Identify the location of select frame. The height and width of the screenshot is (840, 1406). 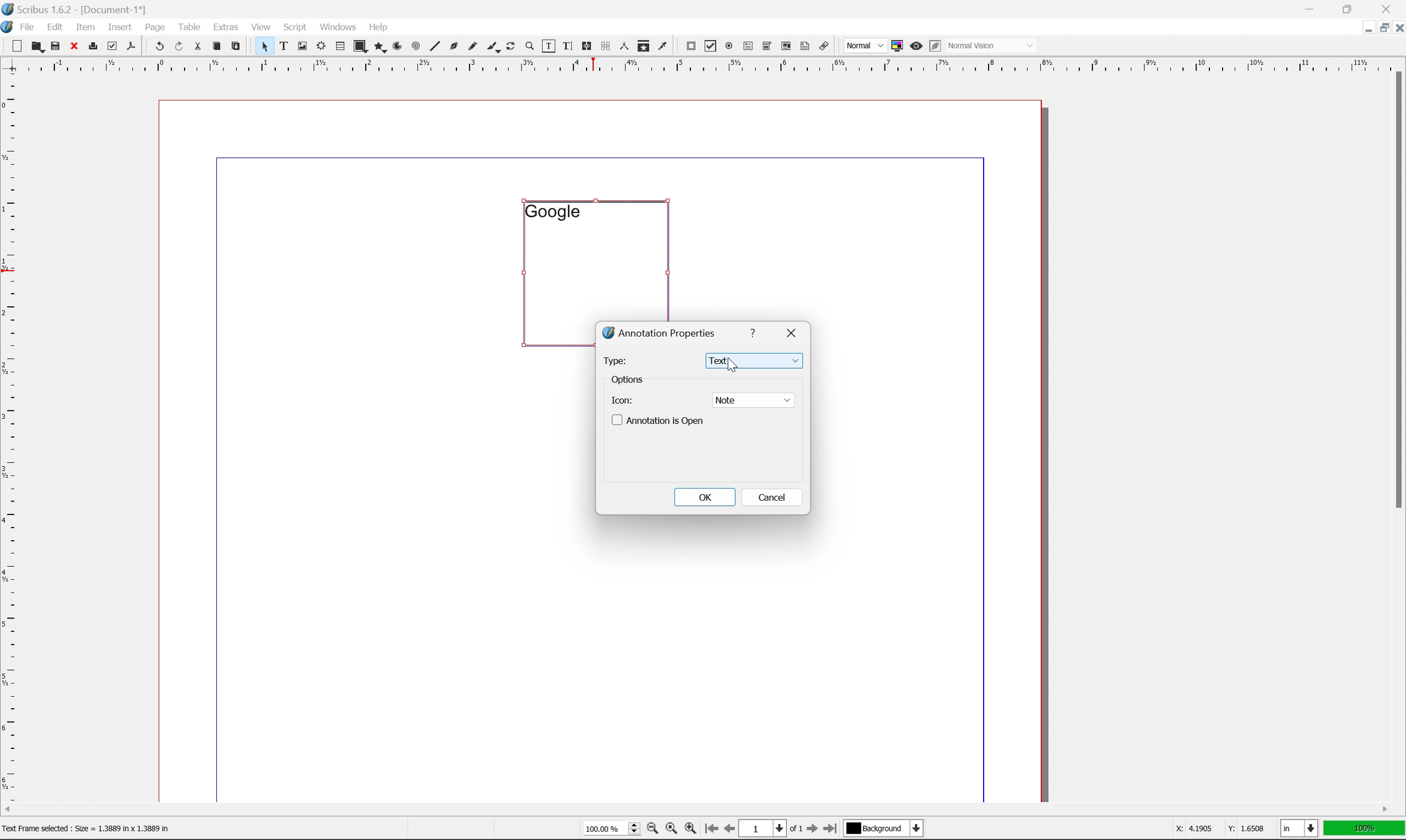
(264, 48).